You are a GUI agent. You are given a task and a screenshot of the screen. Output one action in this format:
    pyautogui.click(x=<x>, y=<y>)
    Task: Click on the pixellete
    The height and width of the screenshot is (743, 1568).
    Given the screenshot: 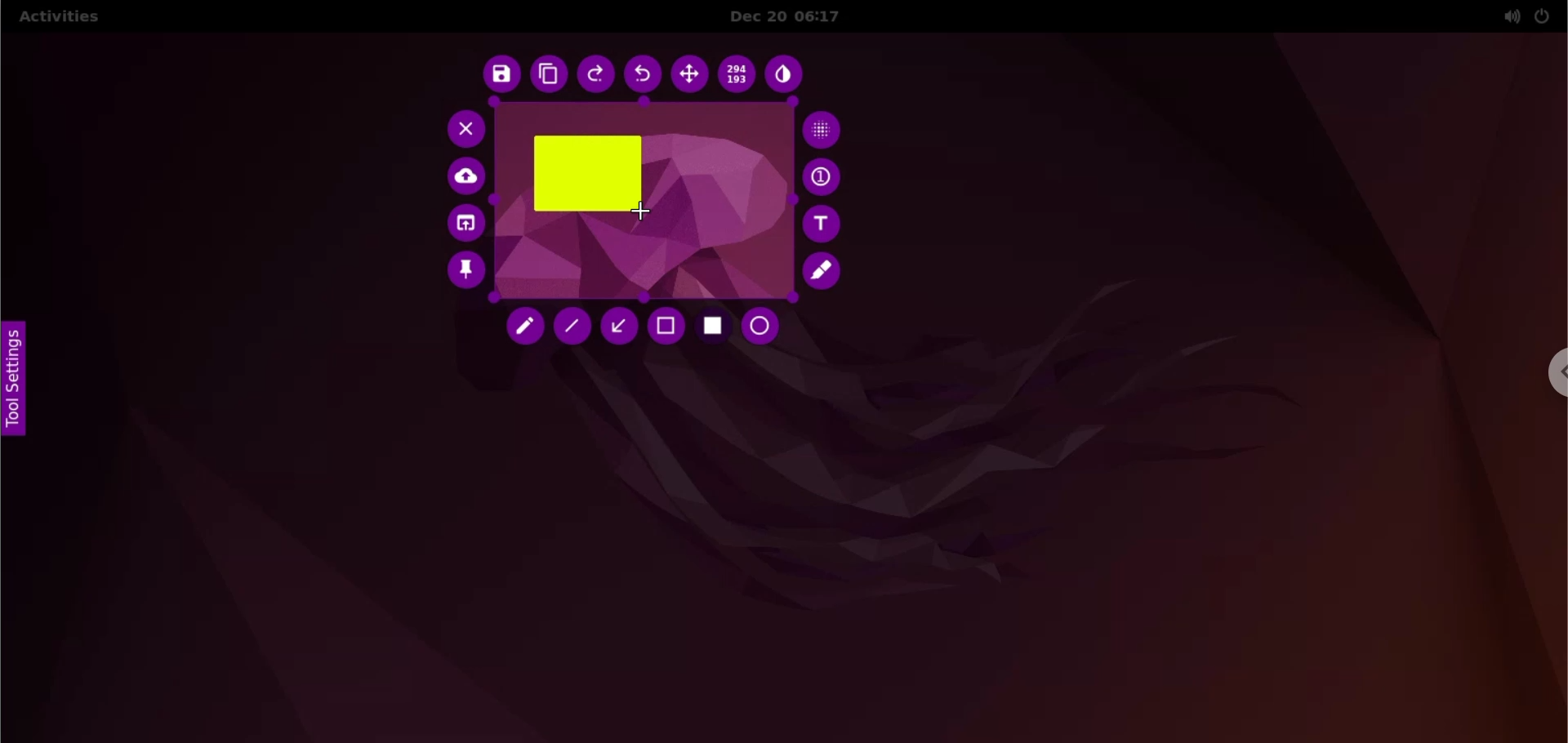 What is the action you would take?
    pyautogui.click(x=822, y=128)
    